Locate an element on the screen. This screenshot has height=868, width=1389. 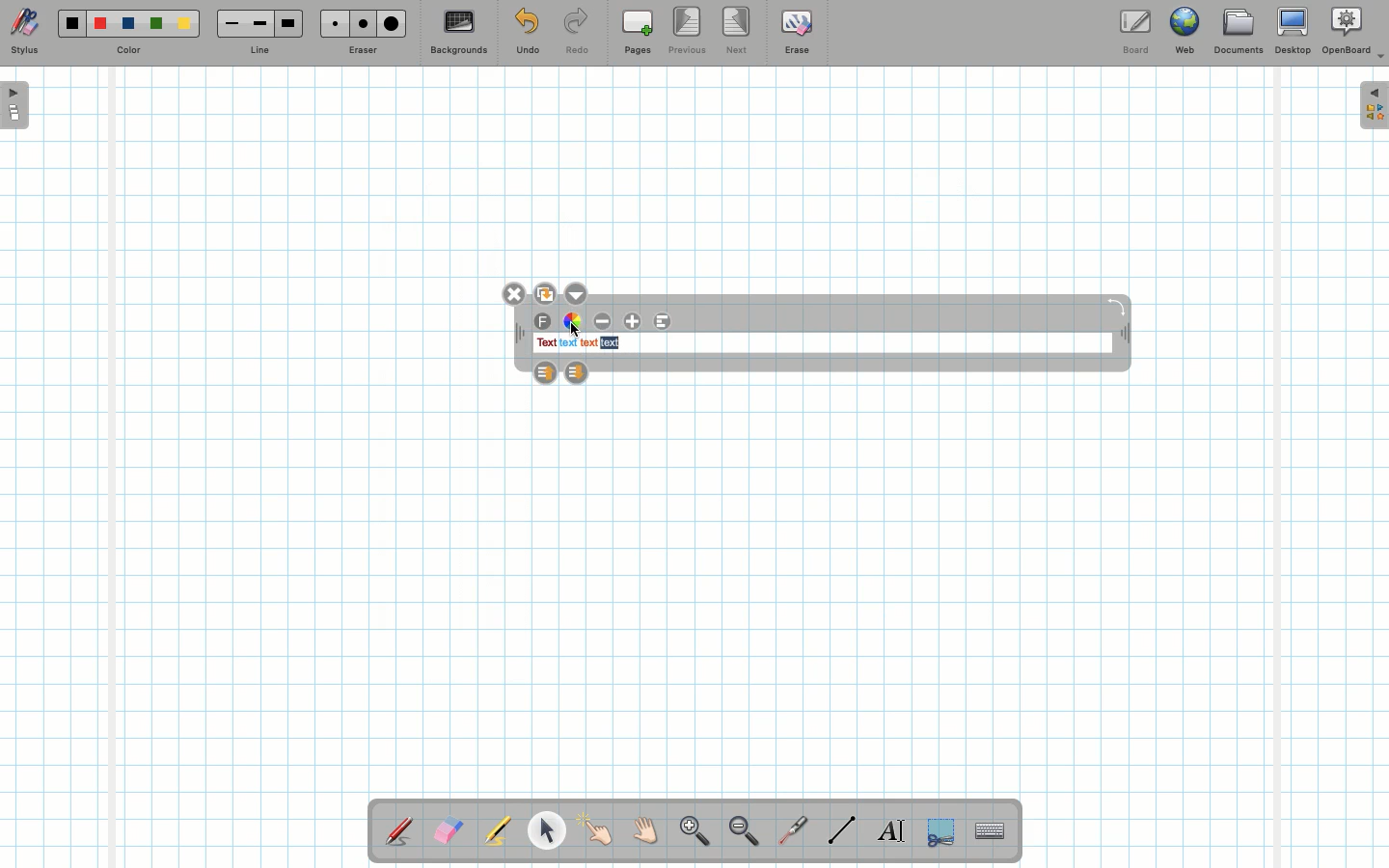
Yellow is located at coordinates (184, 23).